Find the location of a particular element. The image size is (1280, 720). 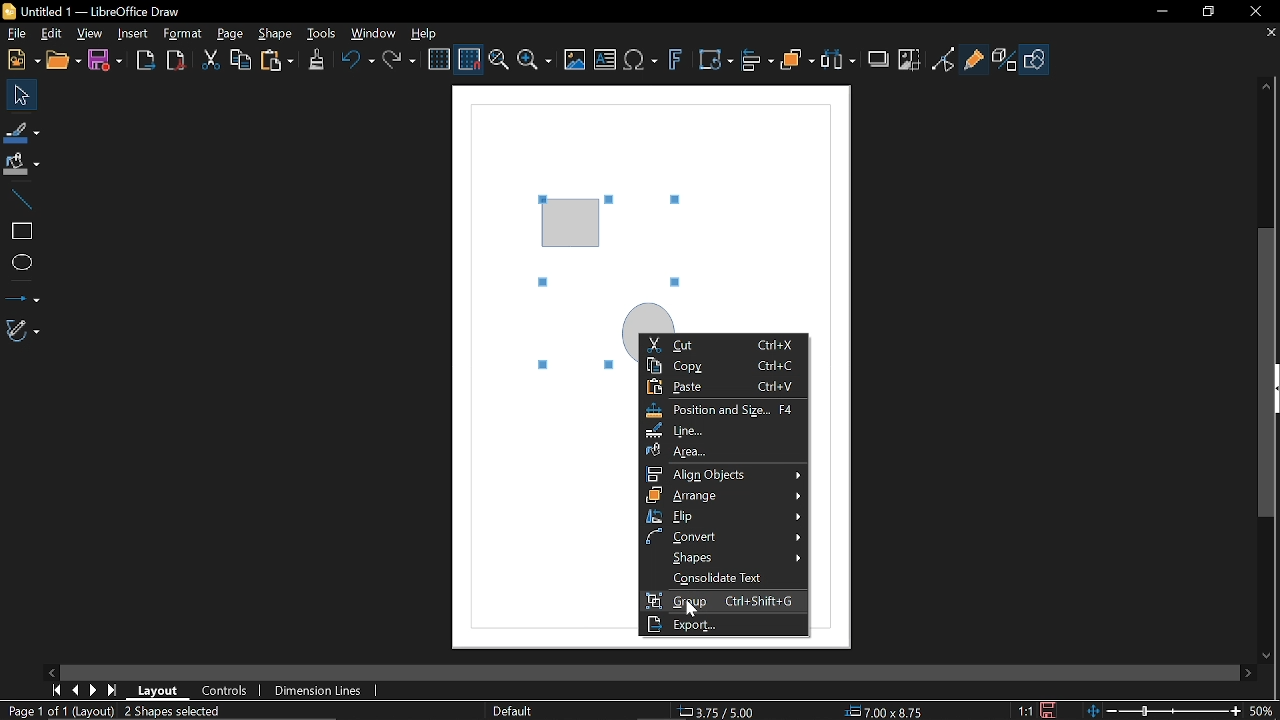

Restore down is located at coordinates (1206, 11).